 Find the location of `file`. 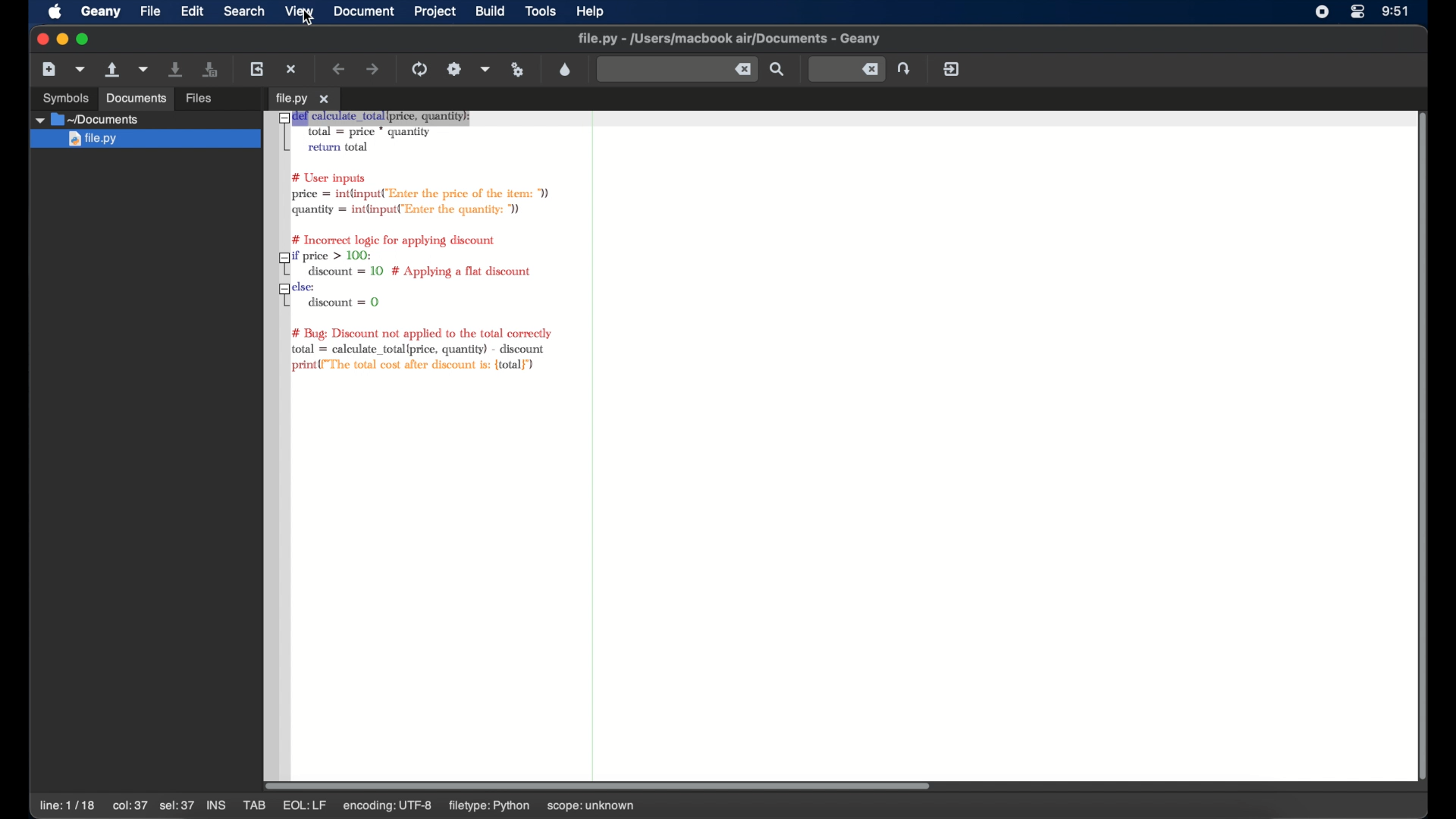

file is located at coordinates (149, 12).